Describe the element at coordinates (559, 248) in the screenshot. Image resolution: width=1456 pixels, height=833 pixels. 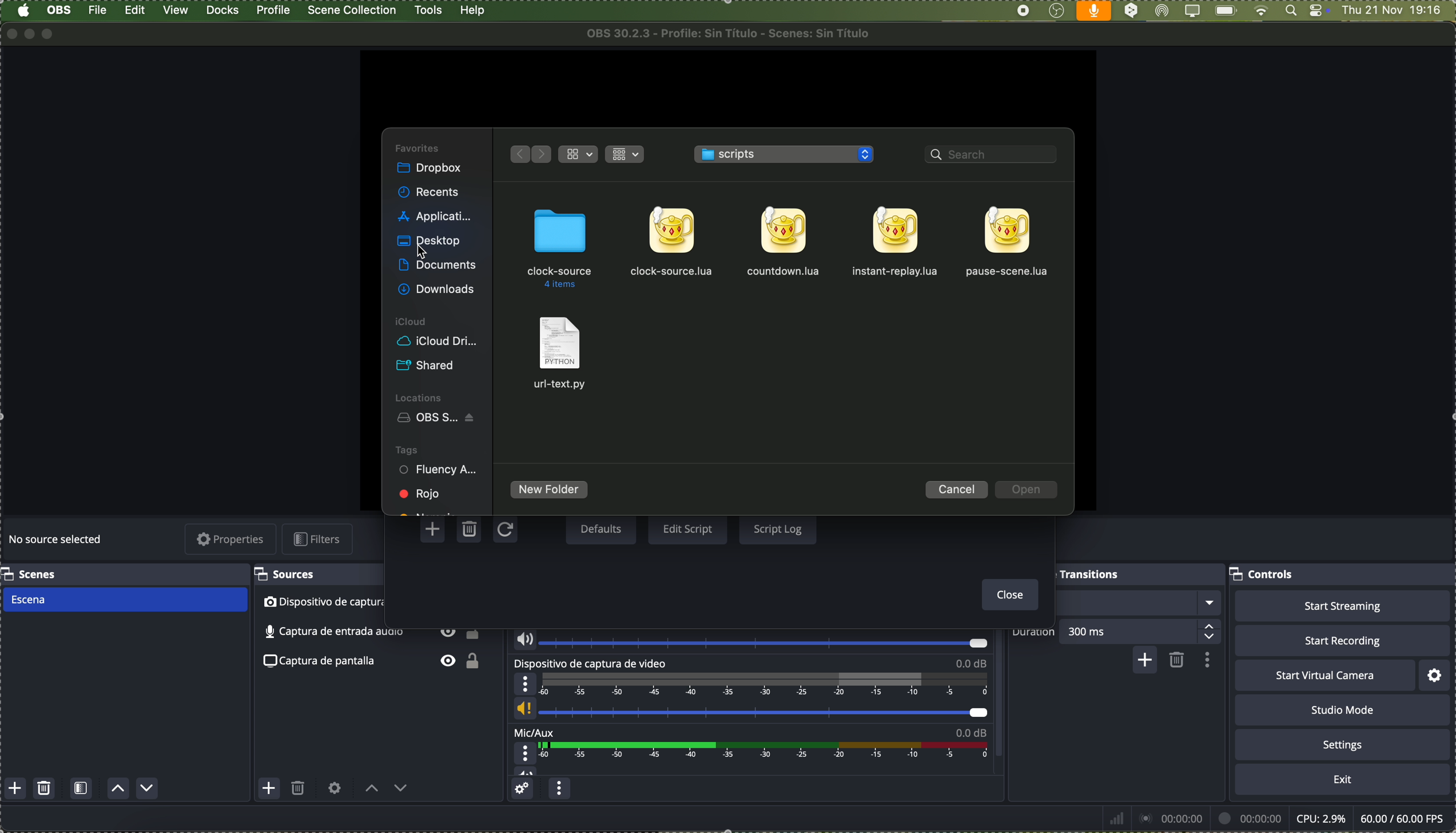
I see `folder` at that location.